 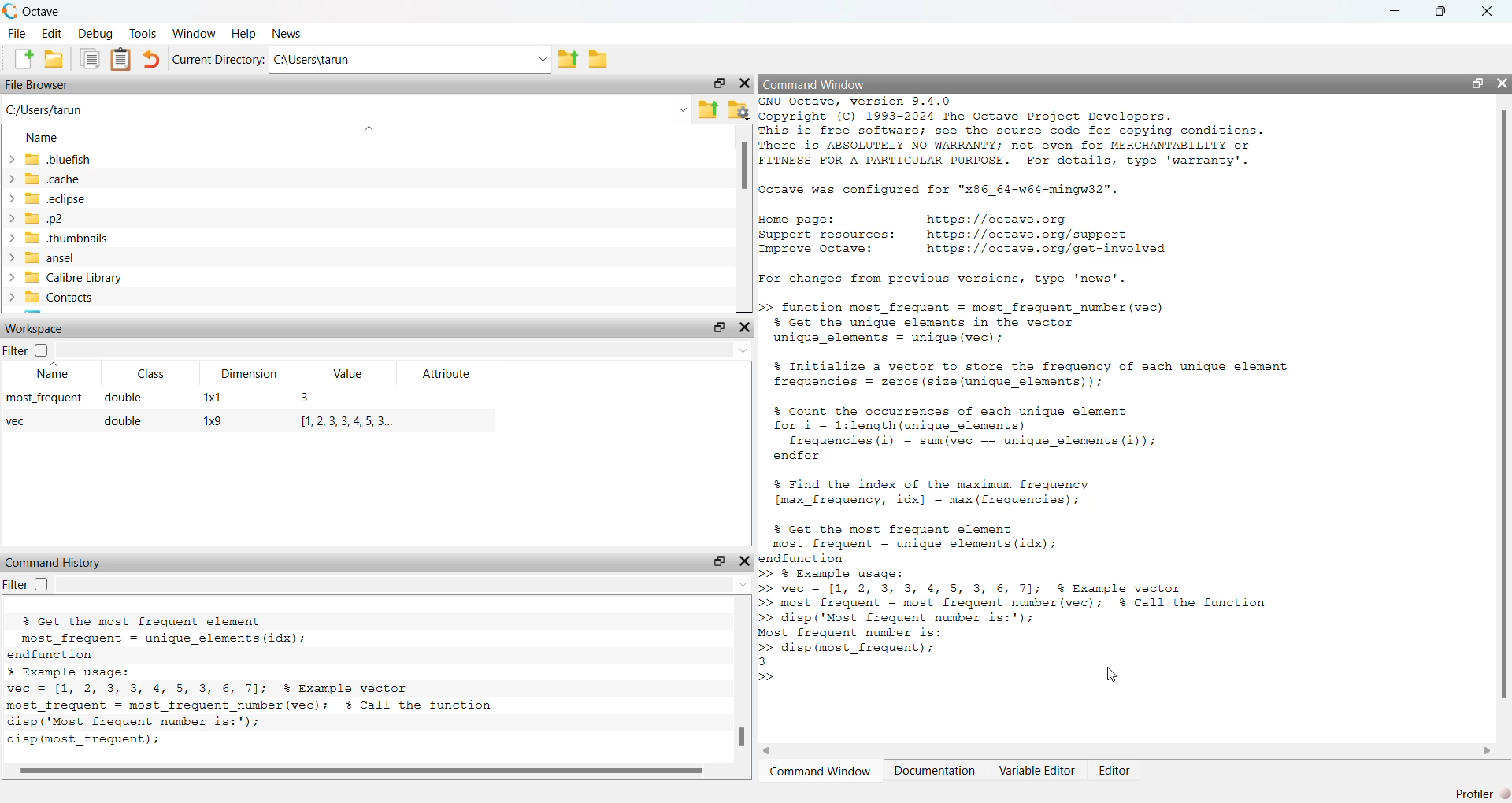 I want to click on Profiler, so click(x=1475, y=793).